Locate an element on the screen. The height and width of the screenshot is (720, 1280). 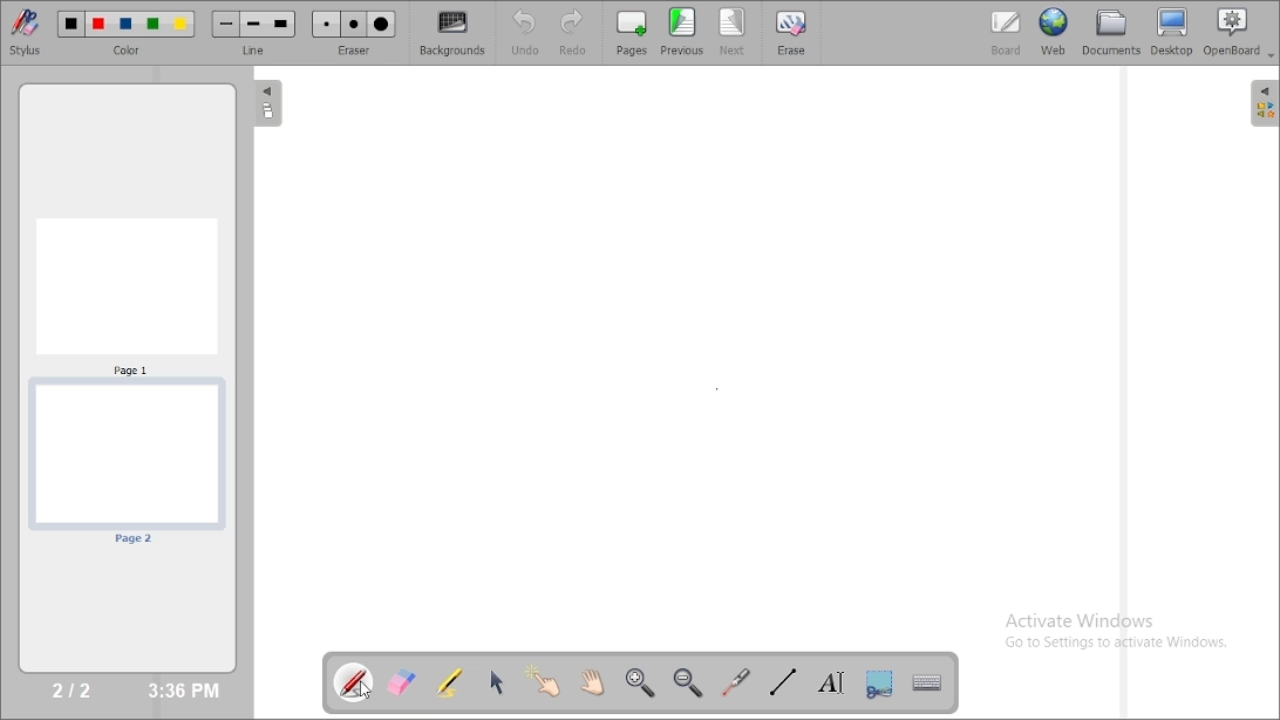
Cursor is located at coordinates (362, 691).